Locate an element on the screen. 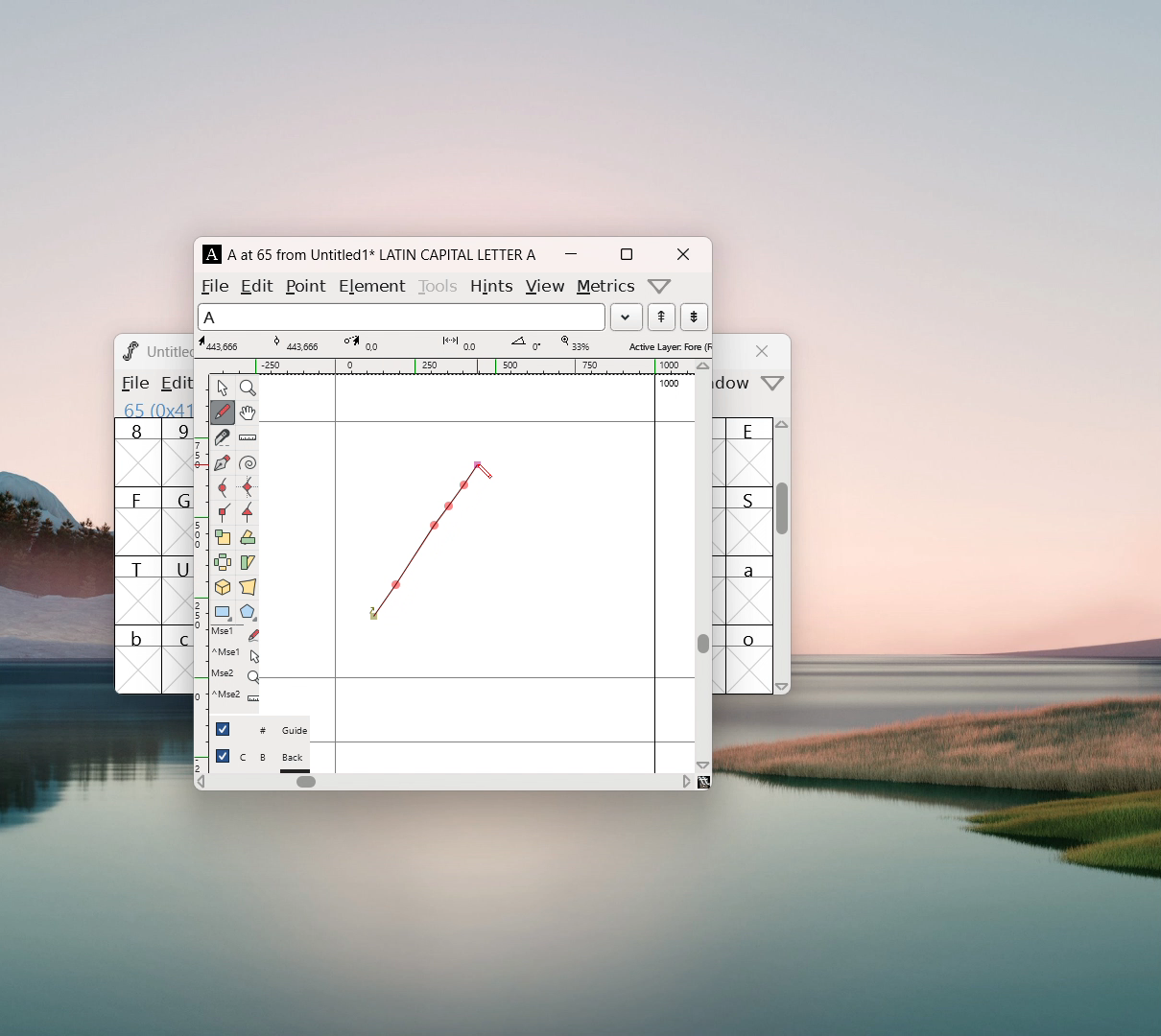 The width and height of the screenshot is (1161, 1036). file is located at coordinates (215, 286).